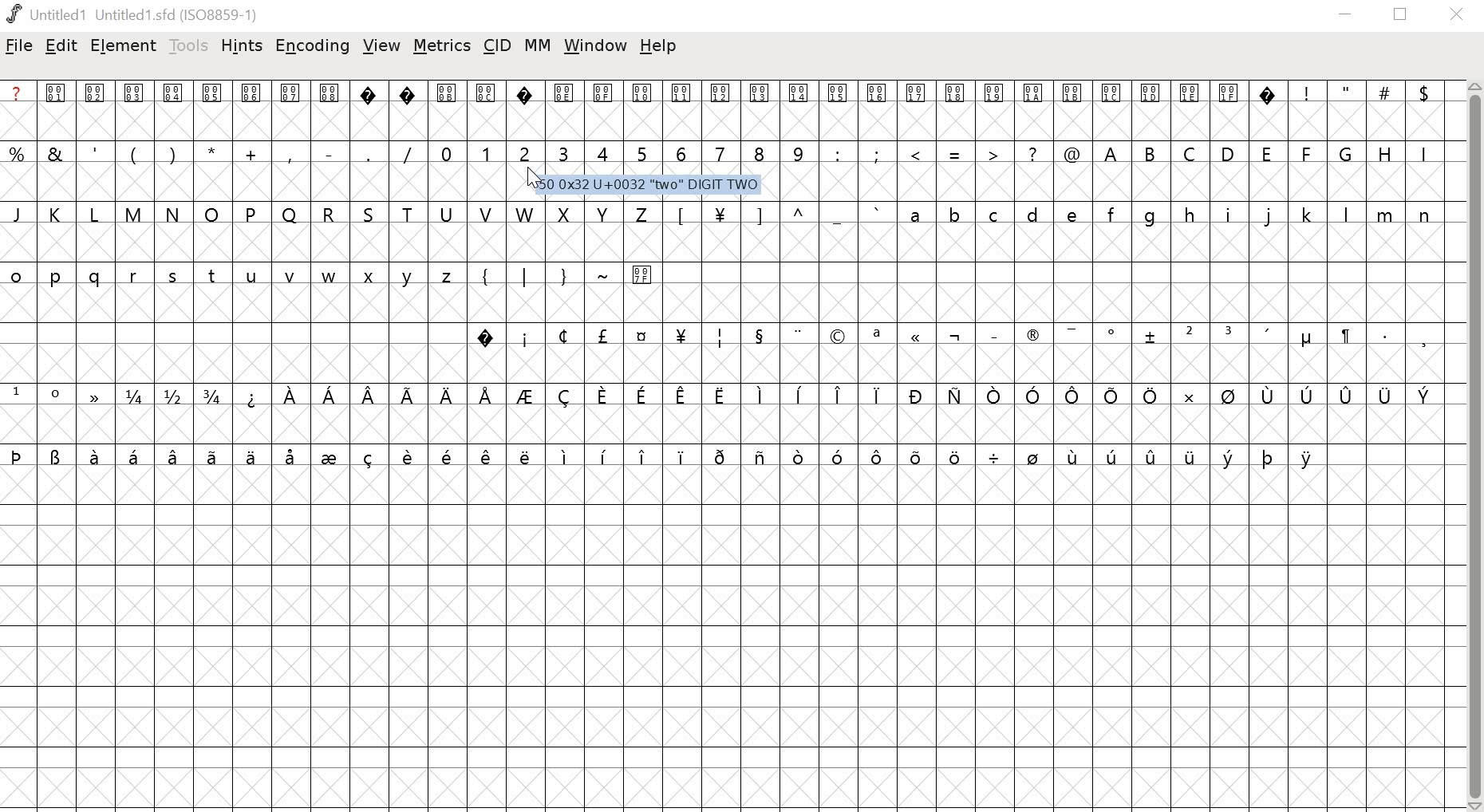 Image resolution: width=1484 pixels, height=812 pixels. Describe the element at coordinates (1473, 447) in the screenshot. I see `scrollbar` at that location.